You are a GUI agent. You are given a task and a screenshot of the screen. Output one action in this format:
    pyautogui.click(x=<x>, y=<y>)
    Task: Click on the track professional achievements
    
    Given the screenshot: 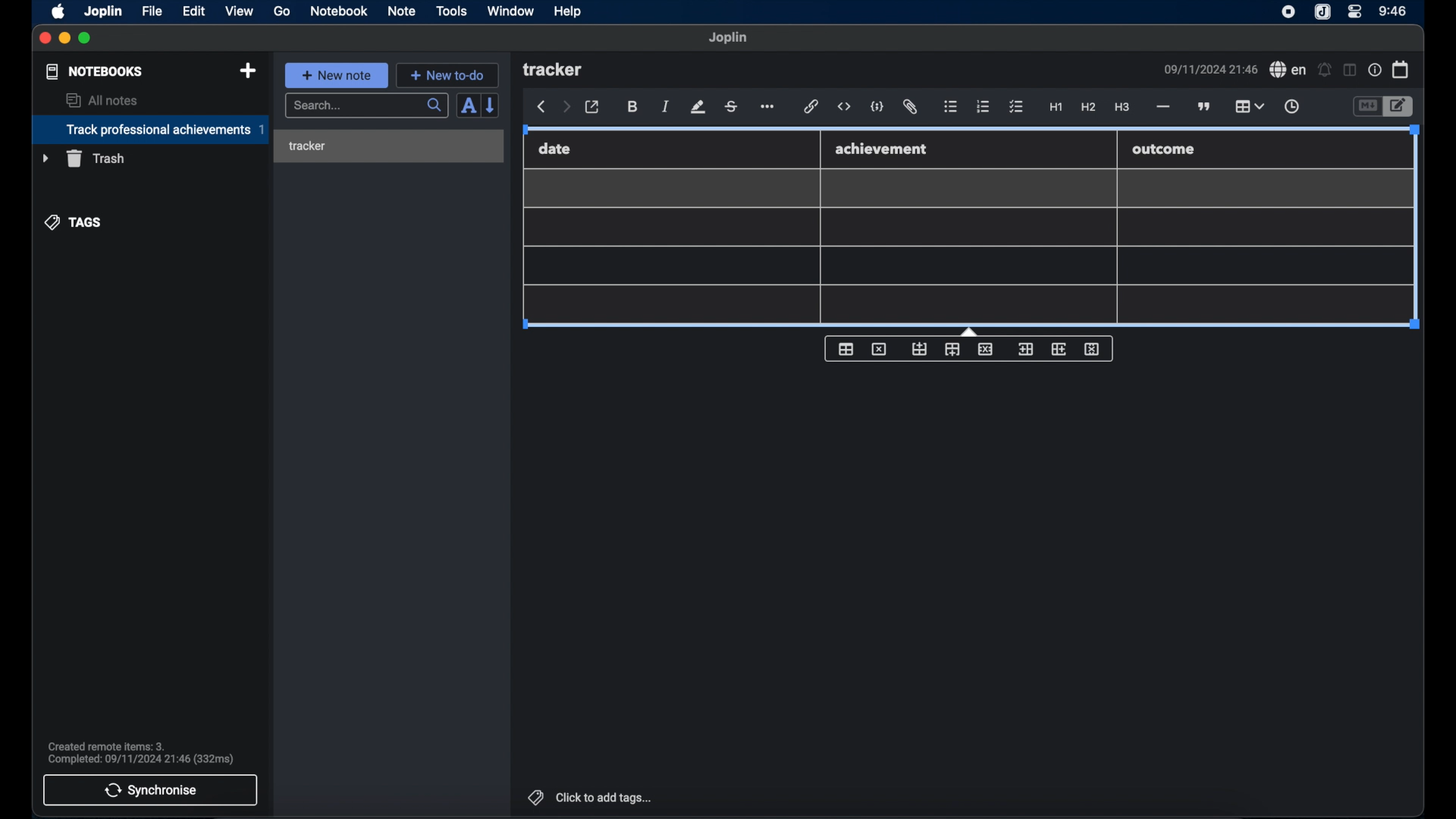 What is the action you would take?
    pyautogui.click(x=149, y=130)
    